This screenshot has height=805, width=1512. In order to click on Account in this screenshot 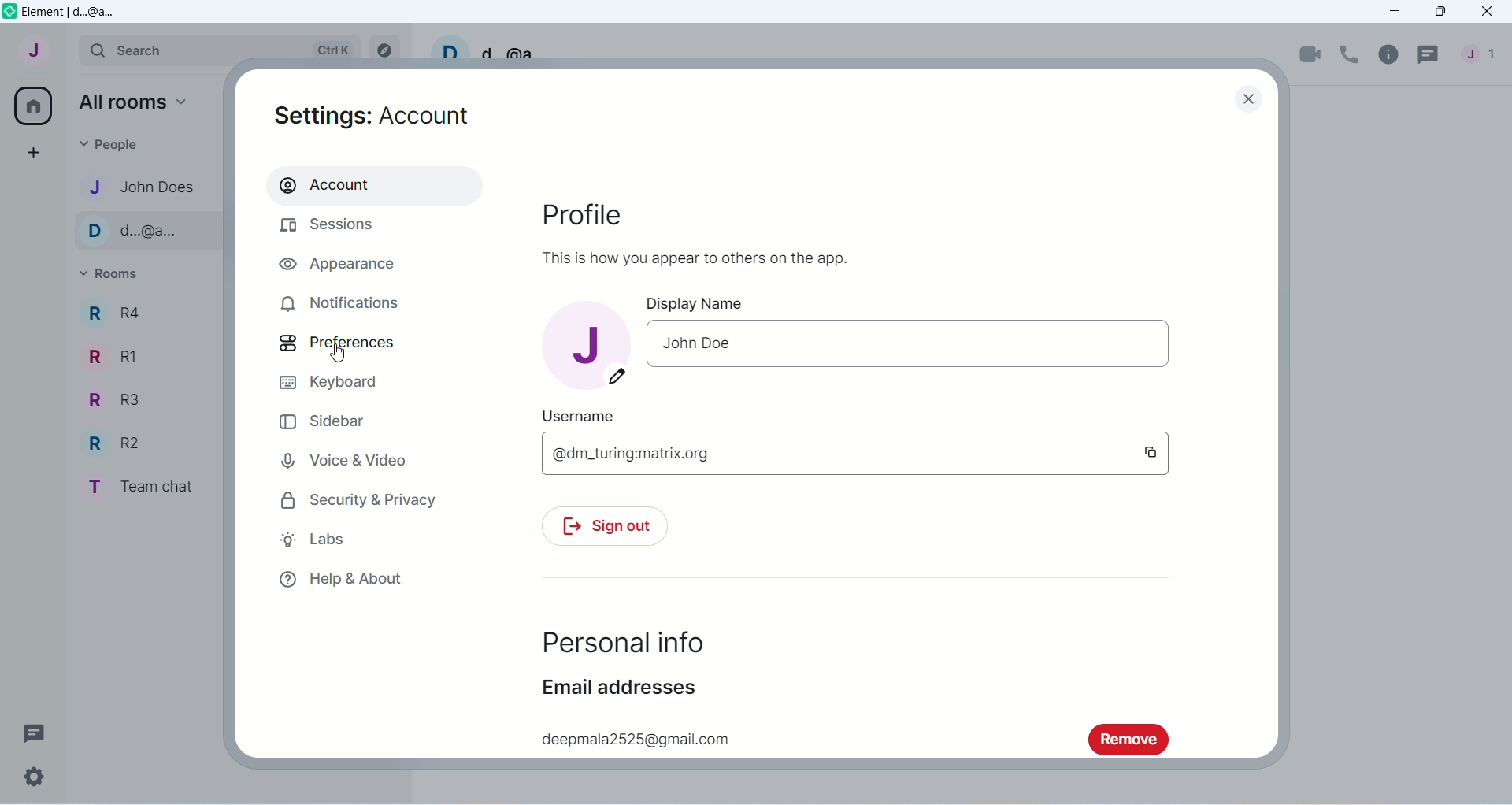, I will do `click(376, 185)`.